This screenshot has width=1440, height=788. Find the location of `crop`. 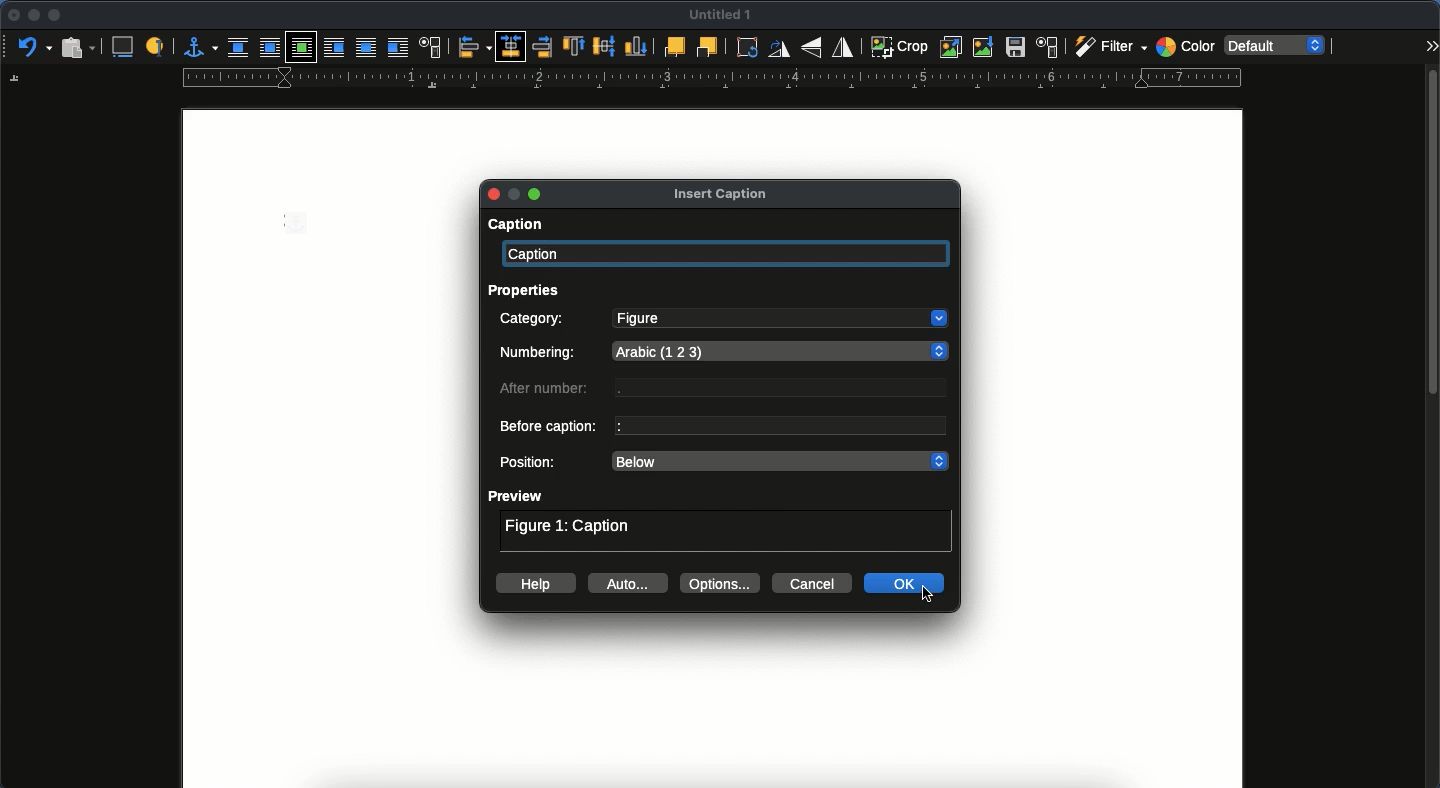

crop is located at coordinates (899, 46).